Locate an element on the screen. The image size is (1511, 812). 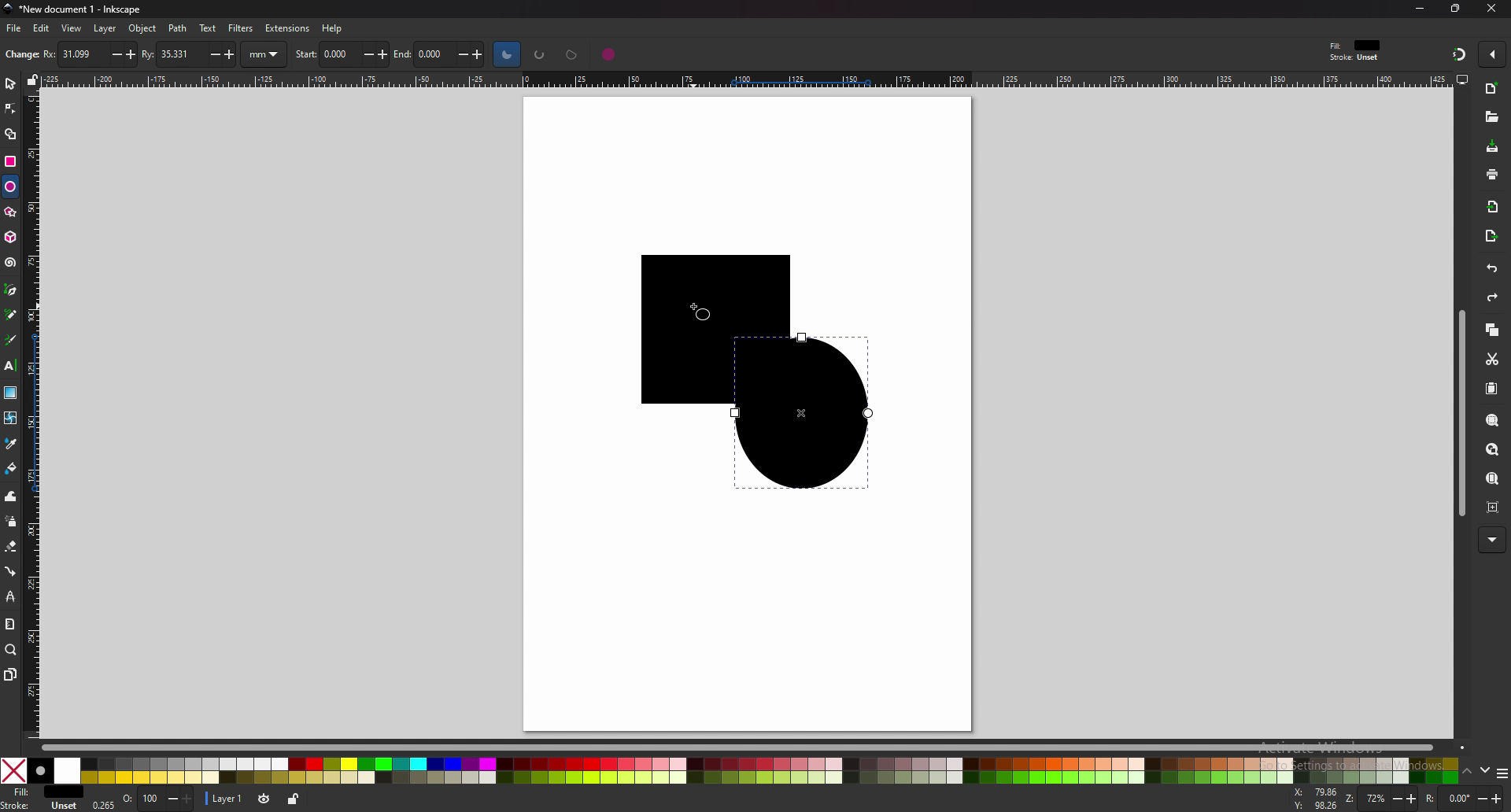
arc is located at coordinates (540, 54).